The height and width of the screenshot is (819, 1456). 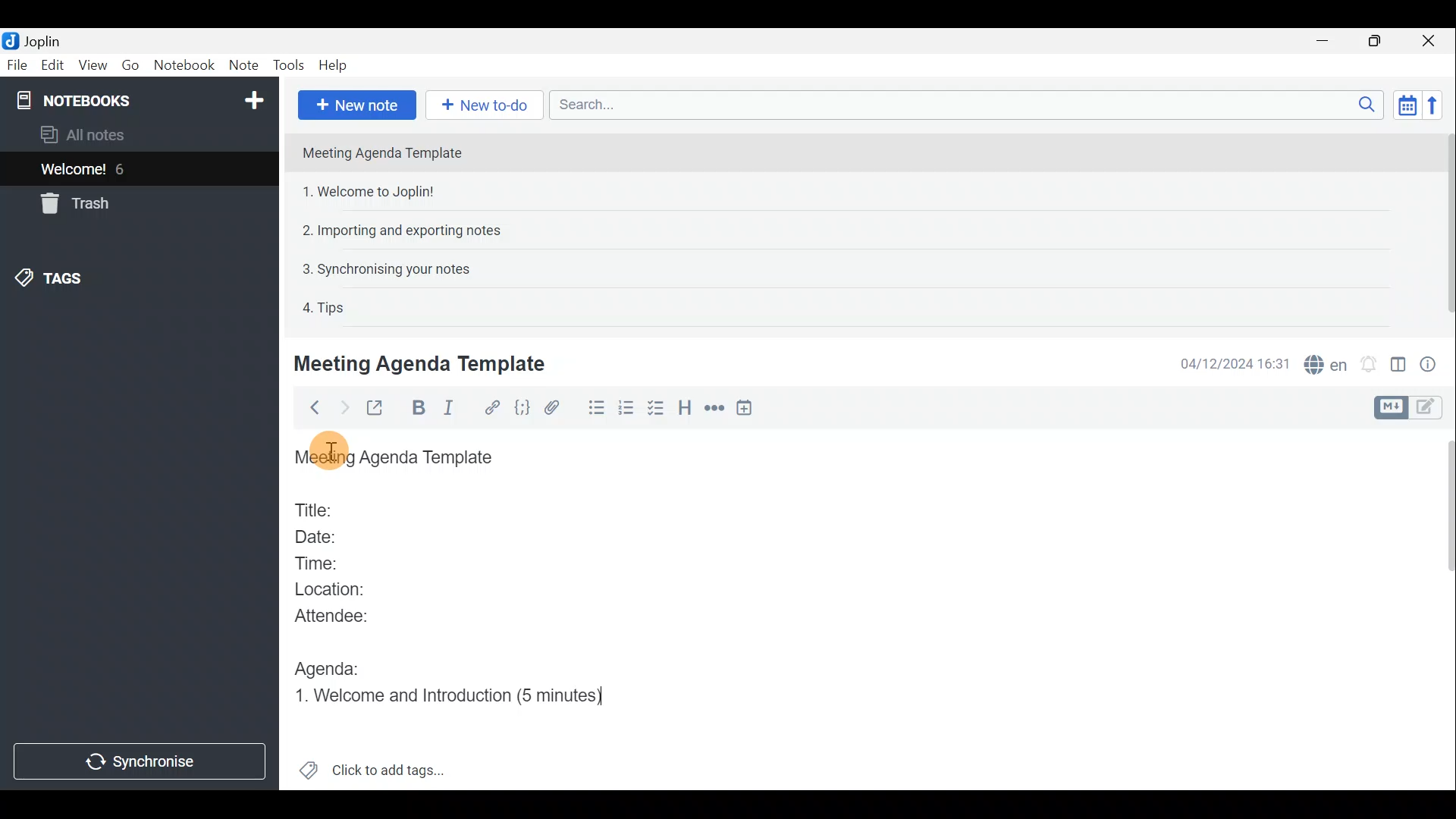 I want to click on 2. Importing and exporting notes, so click(x=407, y=231).